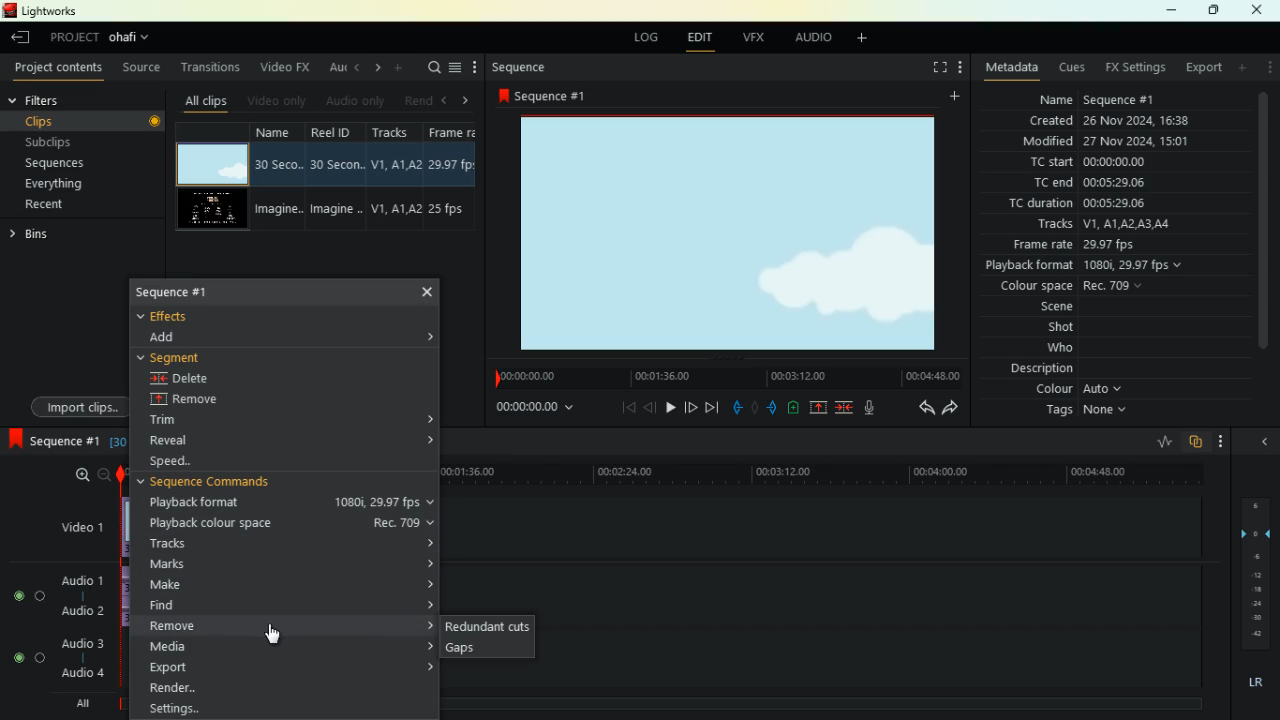  I want to click on timeline, so click(722, 375).